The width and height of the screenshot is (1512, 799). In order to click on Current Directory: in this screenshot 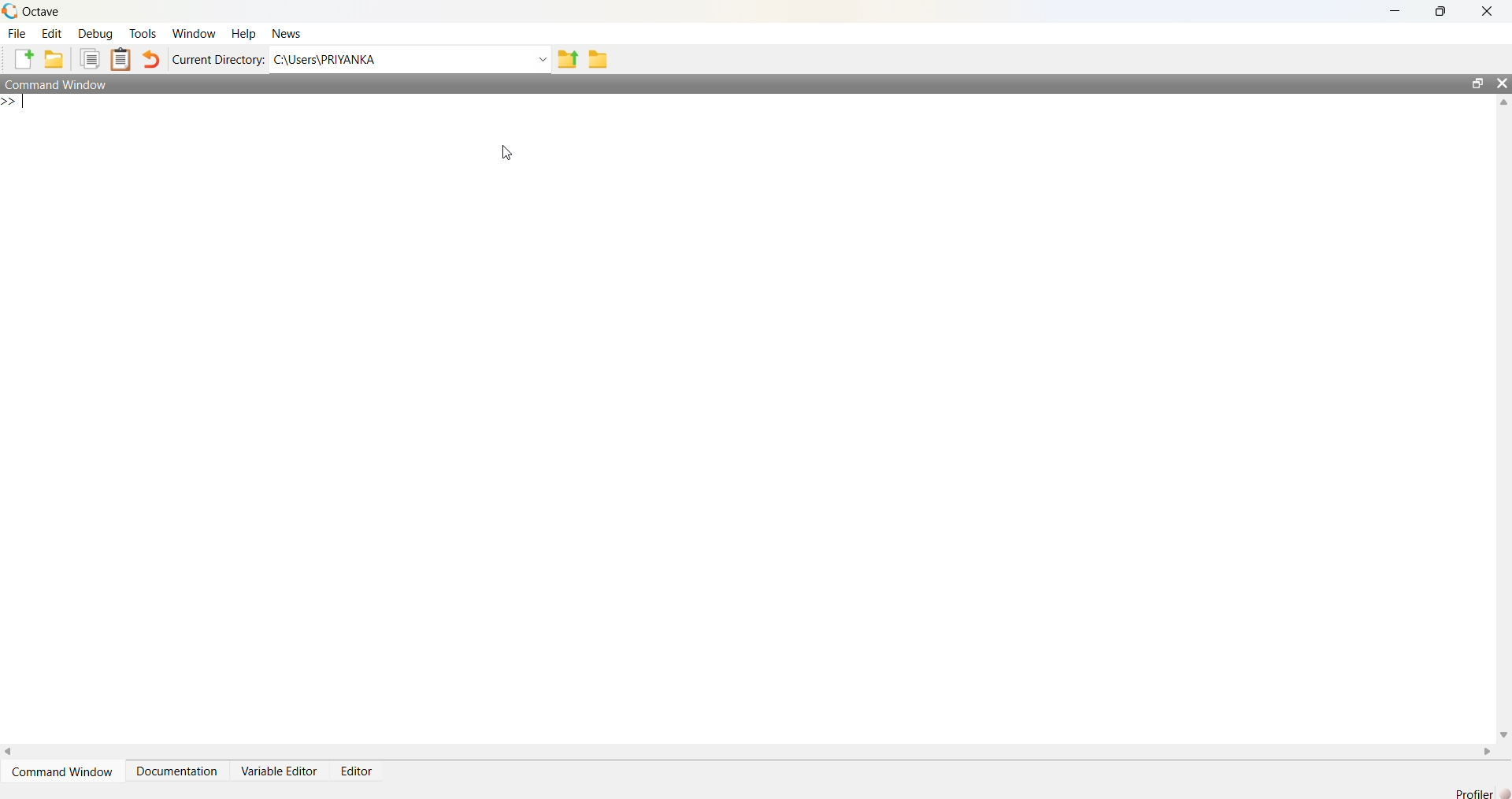, I will do `click(217, 59)`.